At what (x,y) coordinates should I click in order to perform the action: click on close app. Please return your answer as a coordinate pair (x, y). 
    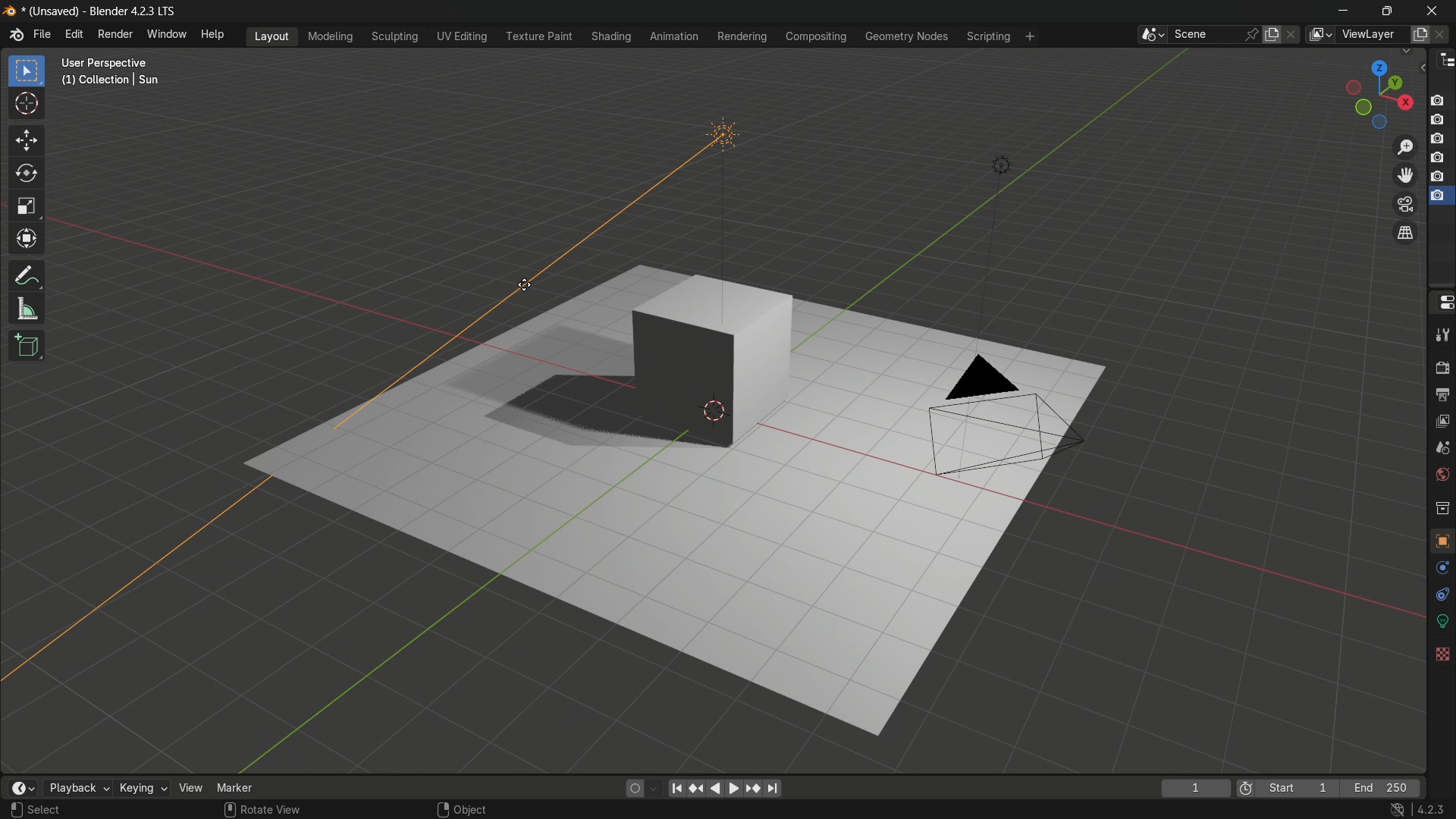
    Looking at the image, I should click on (1436, 9).